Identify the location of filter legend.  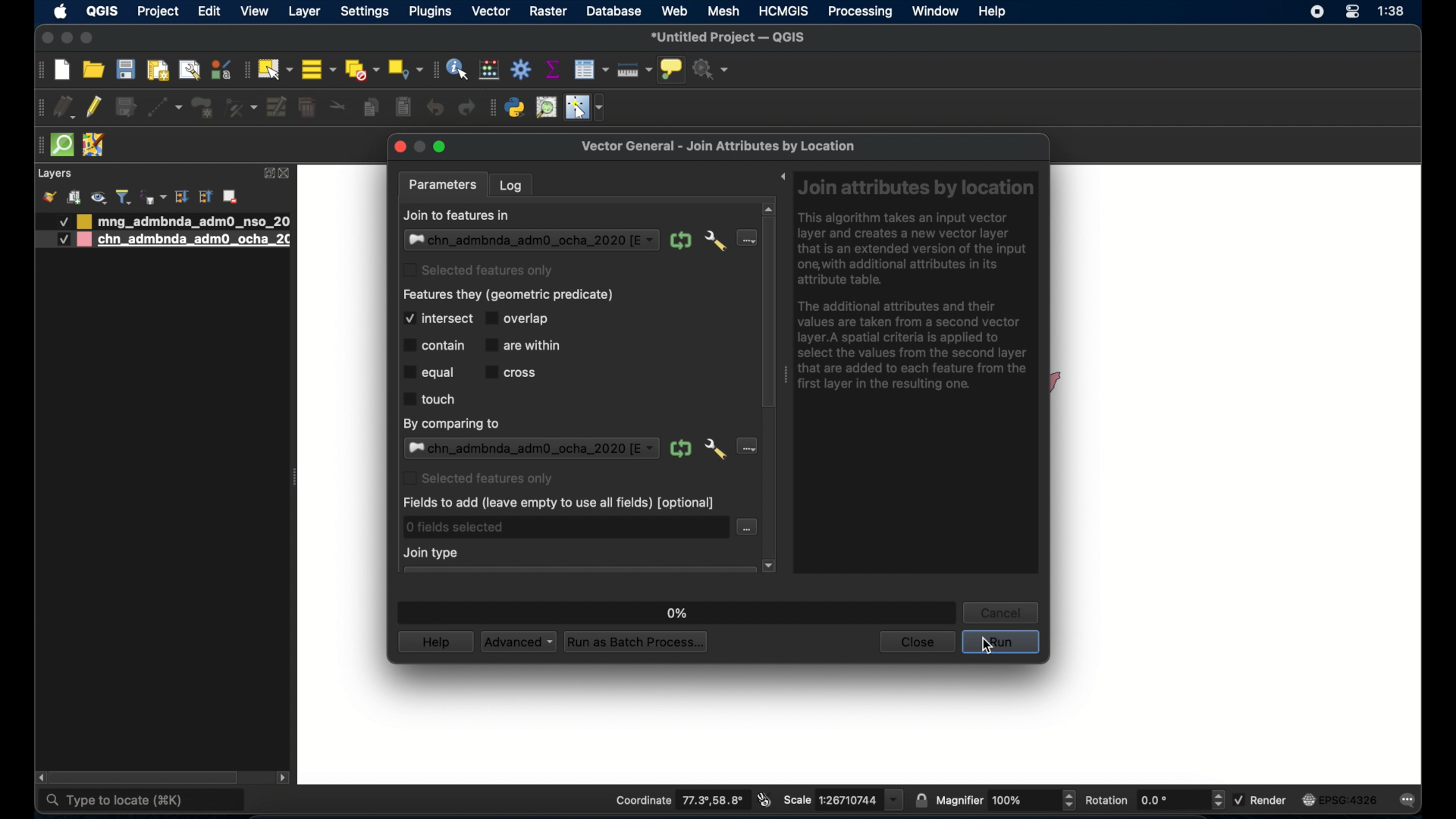
(124, 196).